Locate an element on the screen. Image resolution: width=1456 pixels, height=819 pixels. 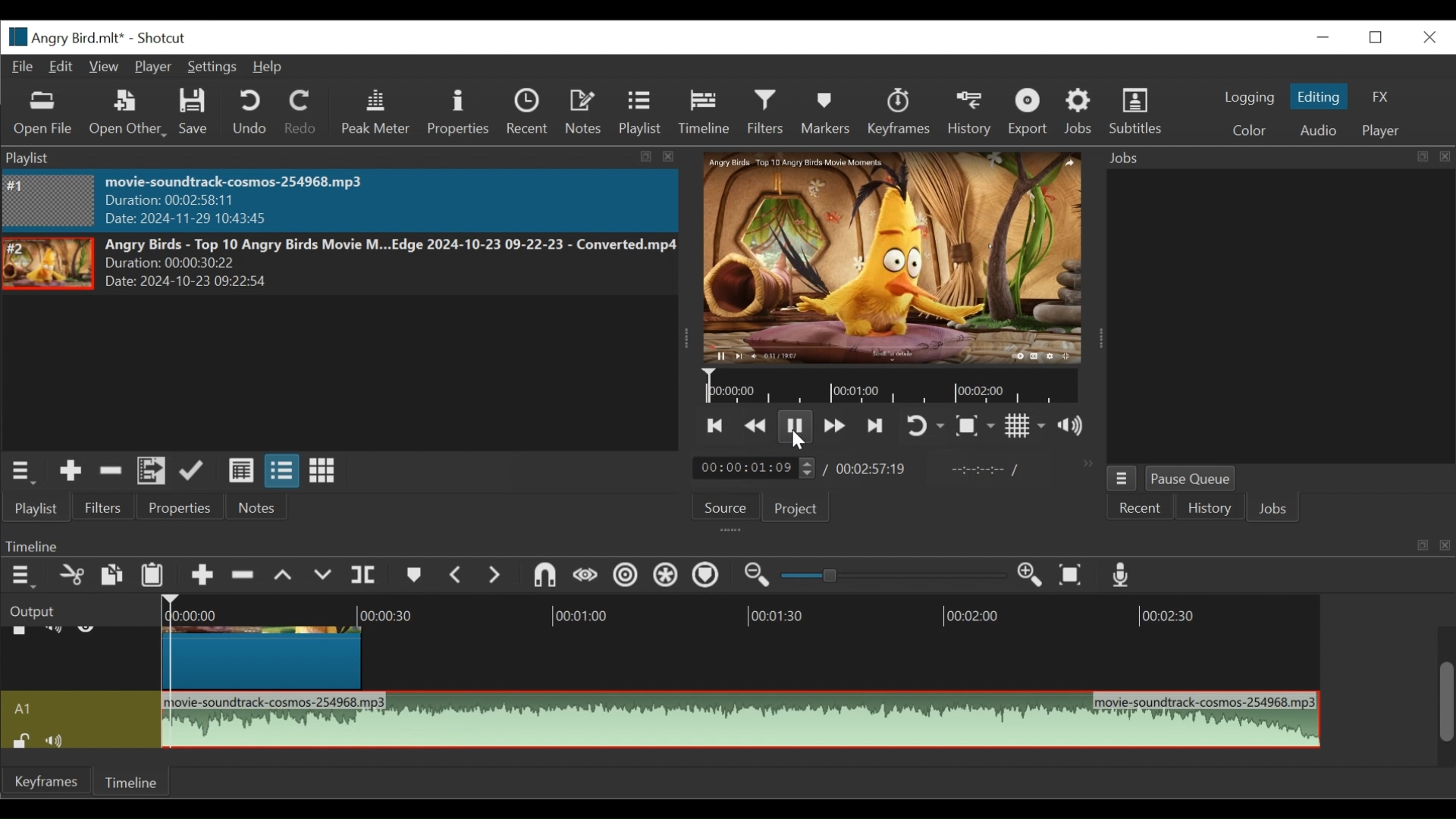
Toggle play or pause is located at coordinates (795, 425).